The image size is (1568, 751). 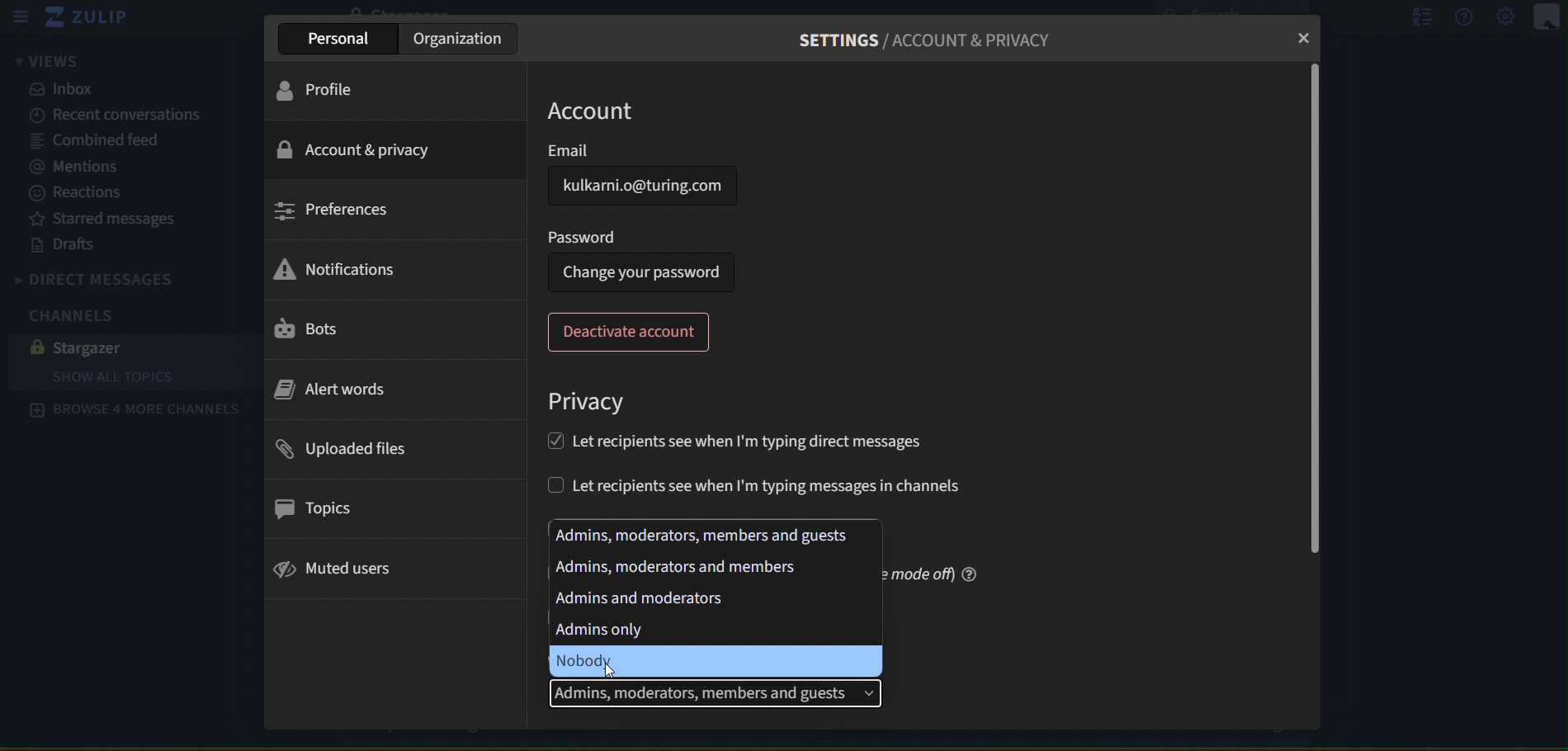 I want to click on combined feed, so click(x=97, y=142).